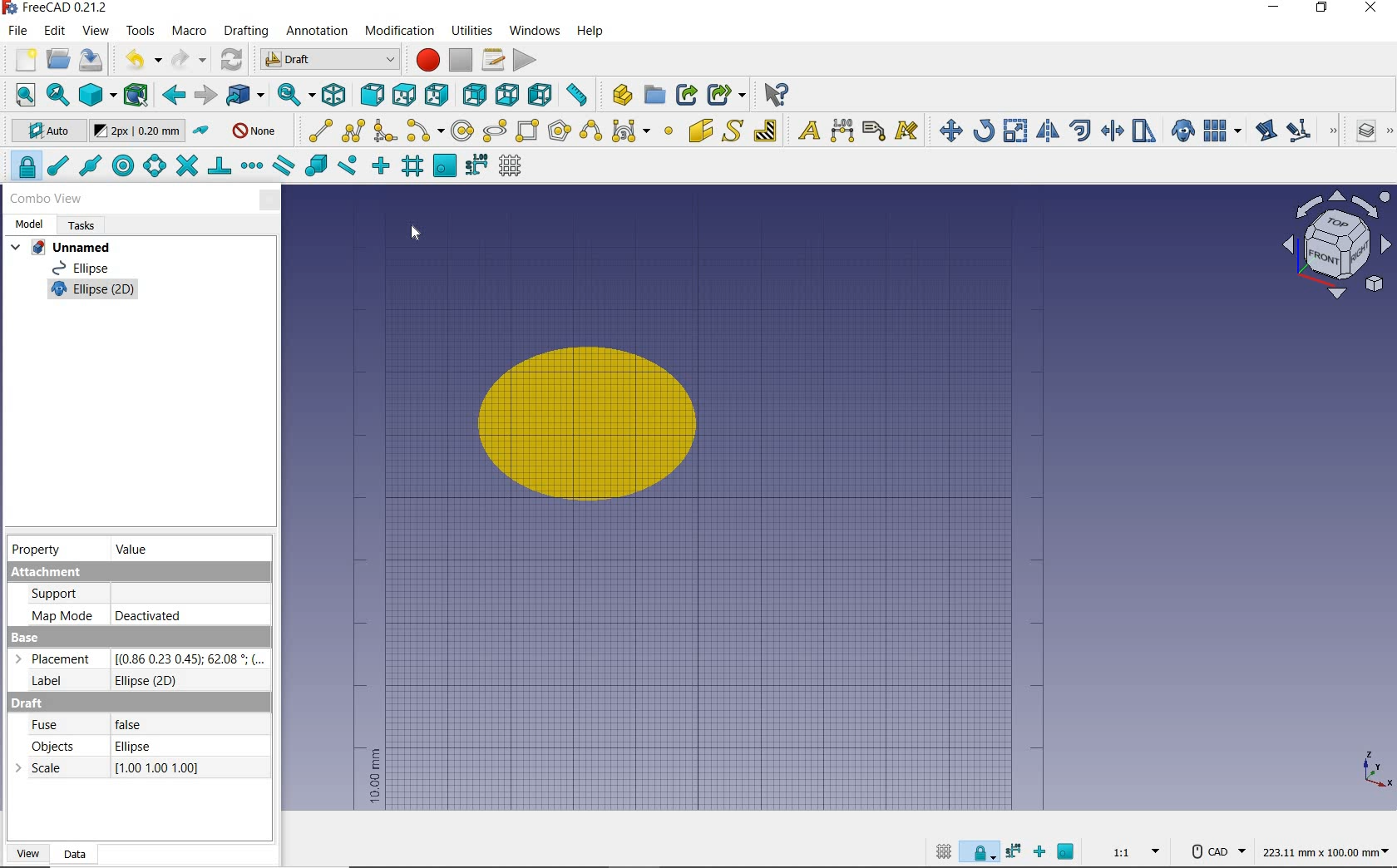 This screenshot has height=868, width=1397. Describe the element at coordinates (592, 32) in the screenshot. I see `help` at that location.